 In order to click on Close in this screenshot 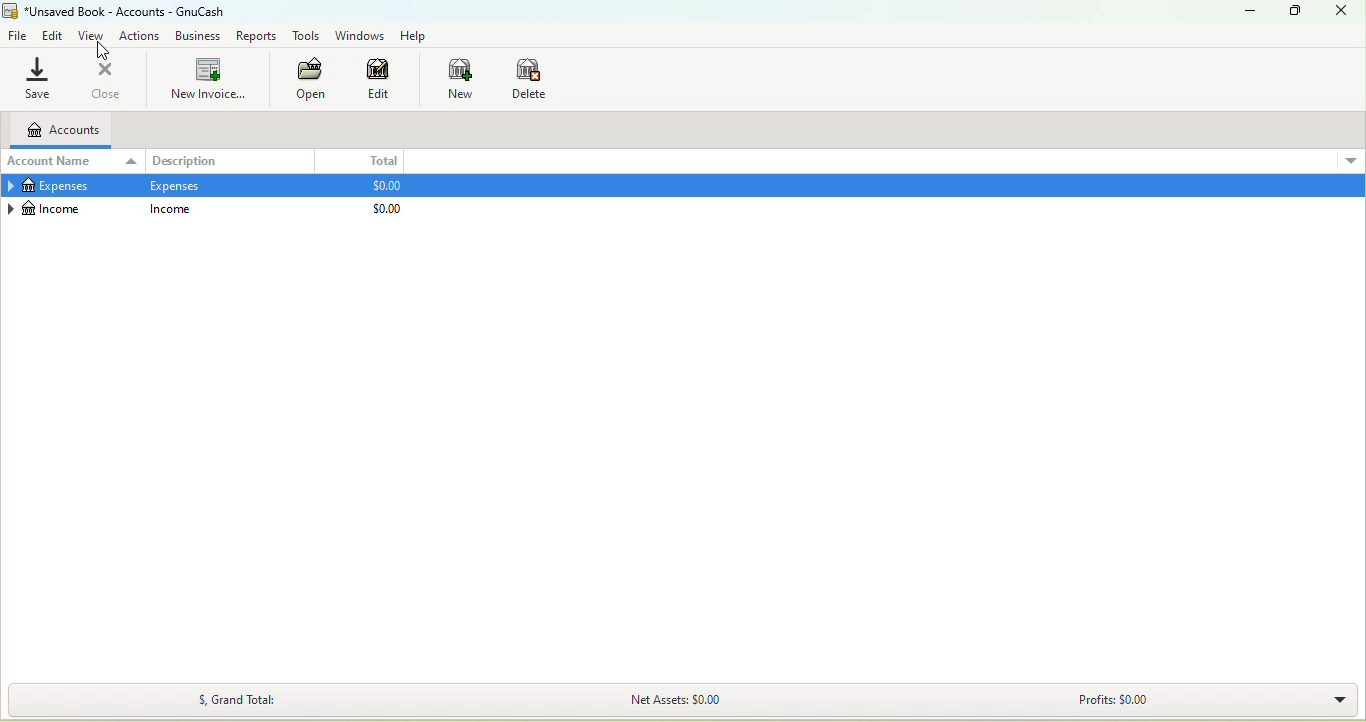, I will do `click(1343, 13)`.